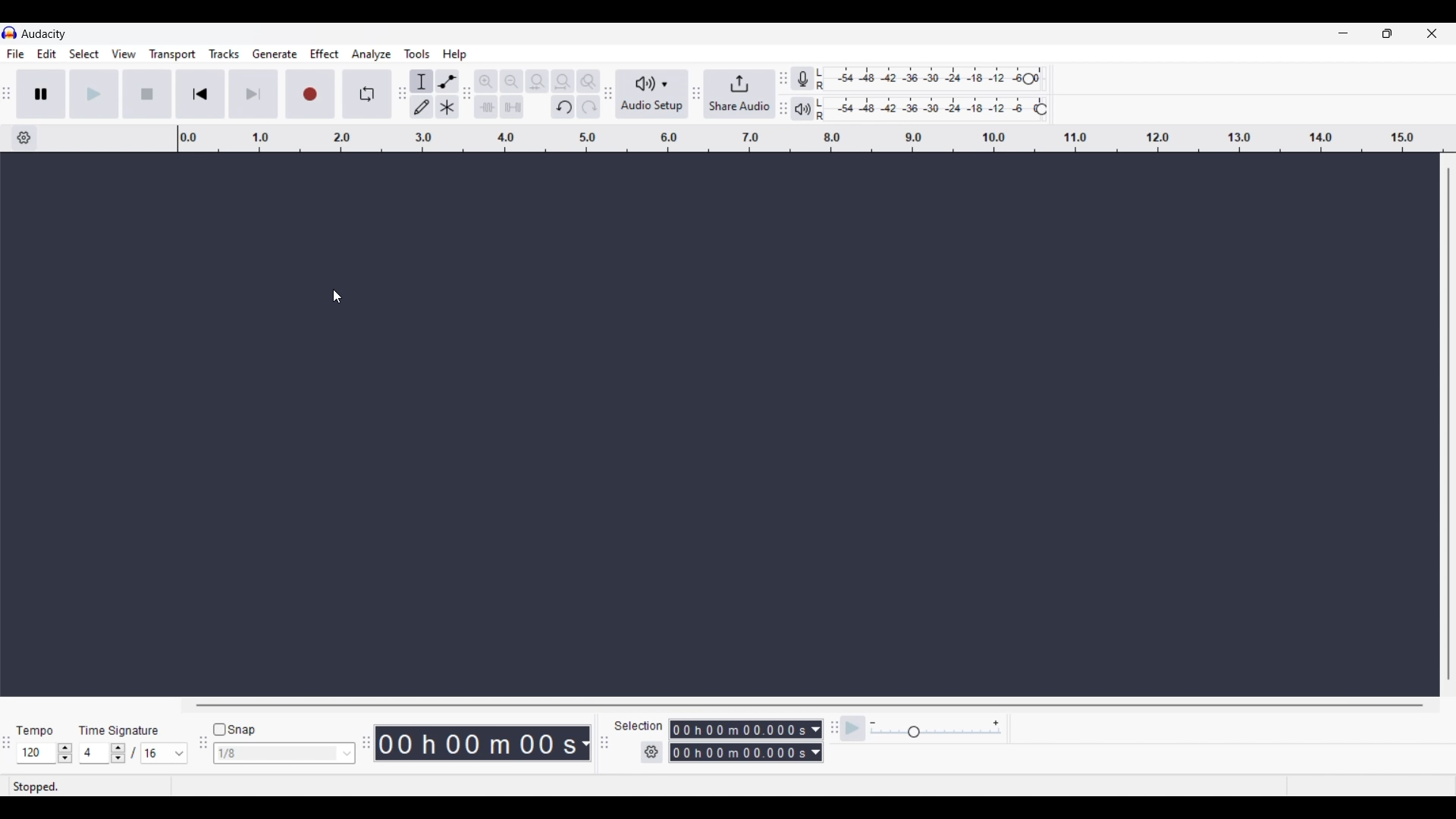  What do you see at coordinates (200, 93) in the screenshot?
I see `Skip to start/Select to start` at bounding box center [200, 93].